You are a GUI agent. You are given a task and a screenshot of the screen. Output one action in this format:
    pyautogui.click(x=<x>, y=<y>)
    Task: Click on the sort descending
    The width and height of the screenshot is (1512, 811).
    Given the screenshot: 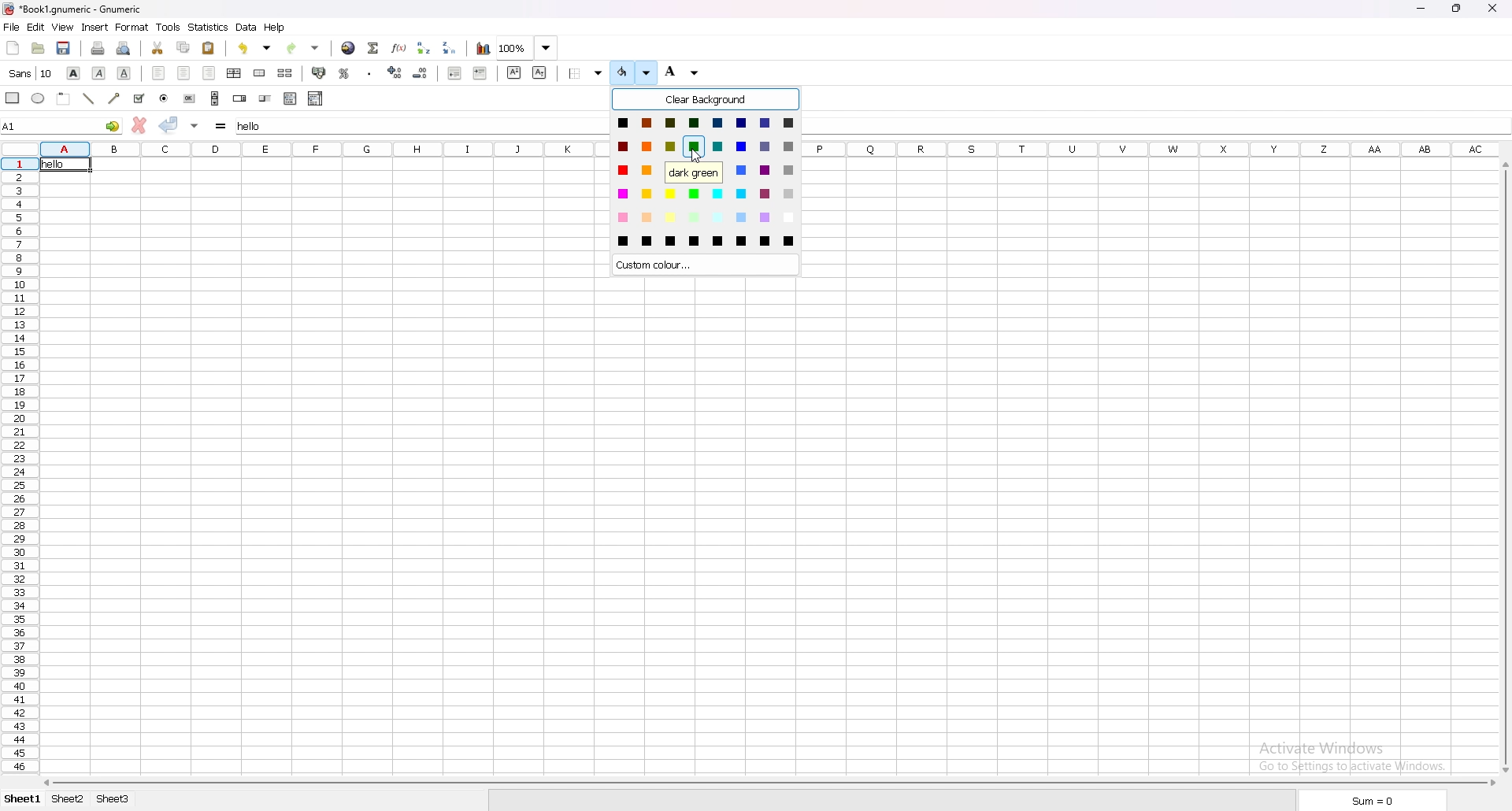 What is the action you would take?
    pyautogui.click(x=450, y=48)
    